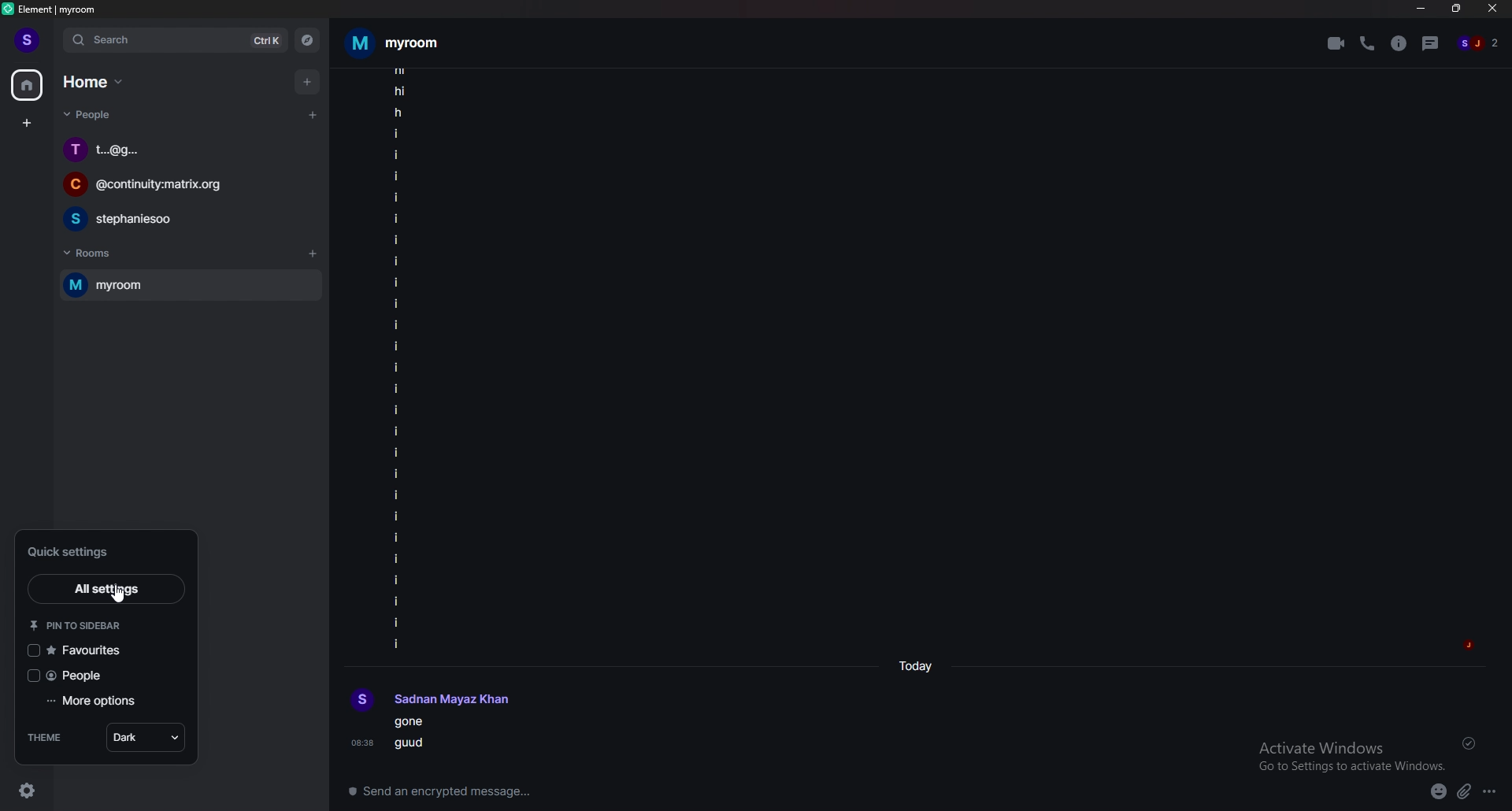 This screenshot has width=1512, height=811. What do you see at coordinates (28, 86) in the screenshot?
I see `home` at bounding box center [28, 86].